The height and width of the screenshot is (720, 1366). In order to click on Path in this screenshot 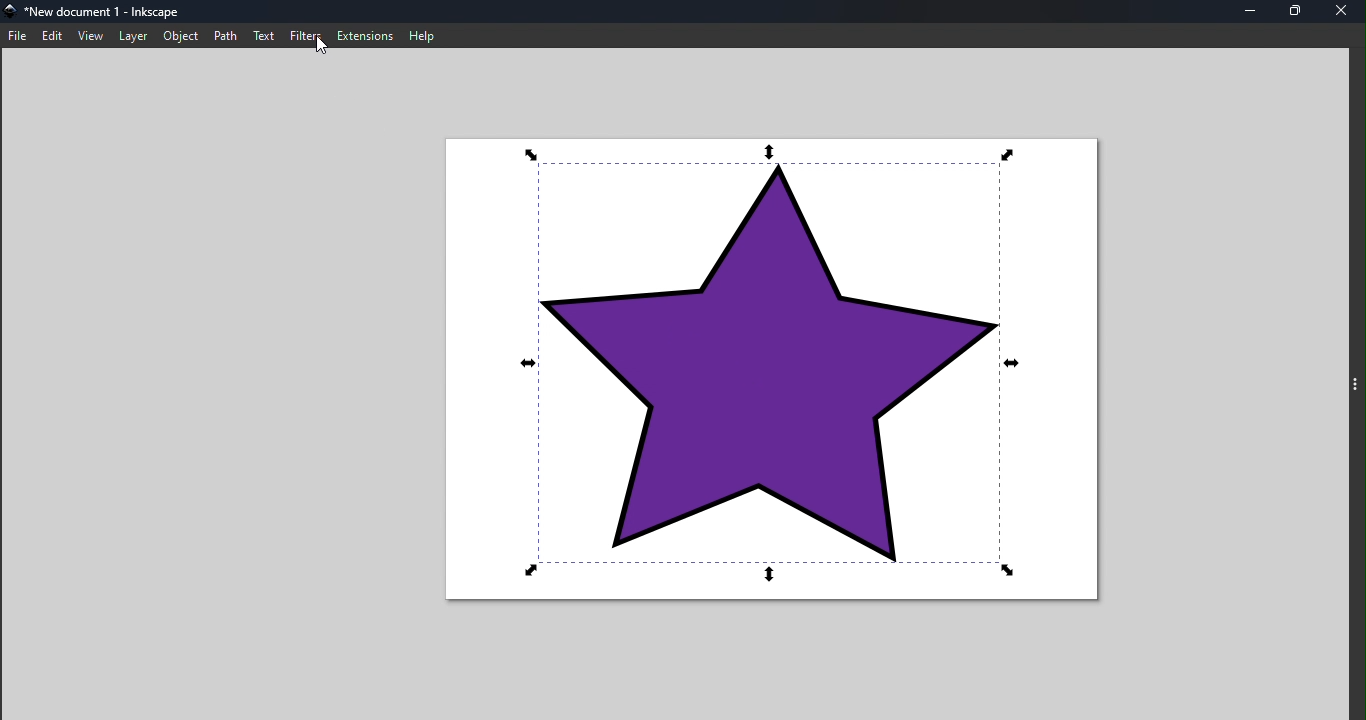, I will do `click(225, 35)`.